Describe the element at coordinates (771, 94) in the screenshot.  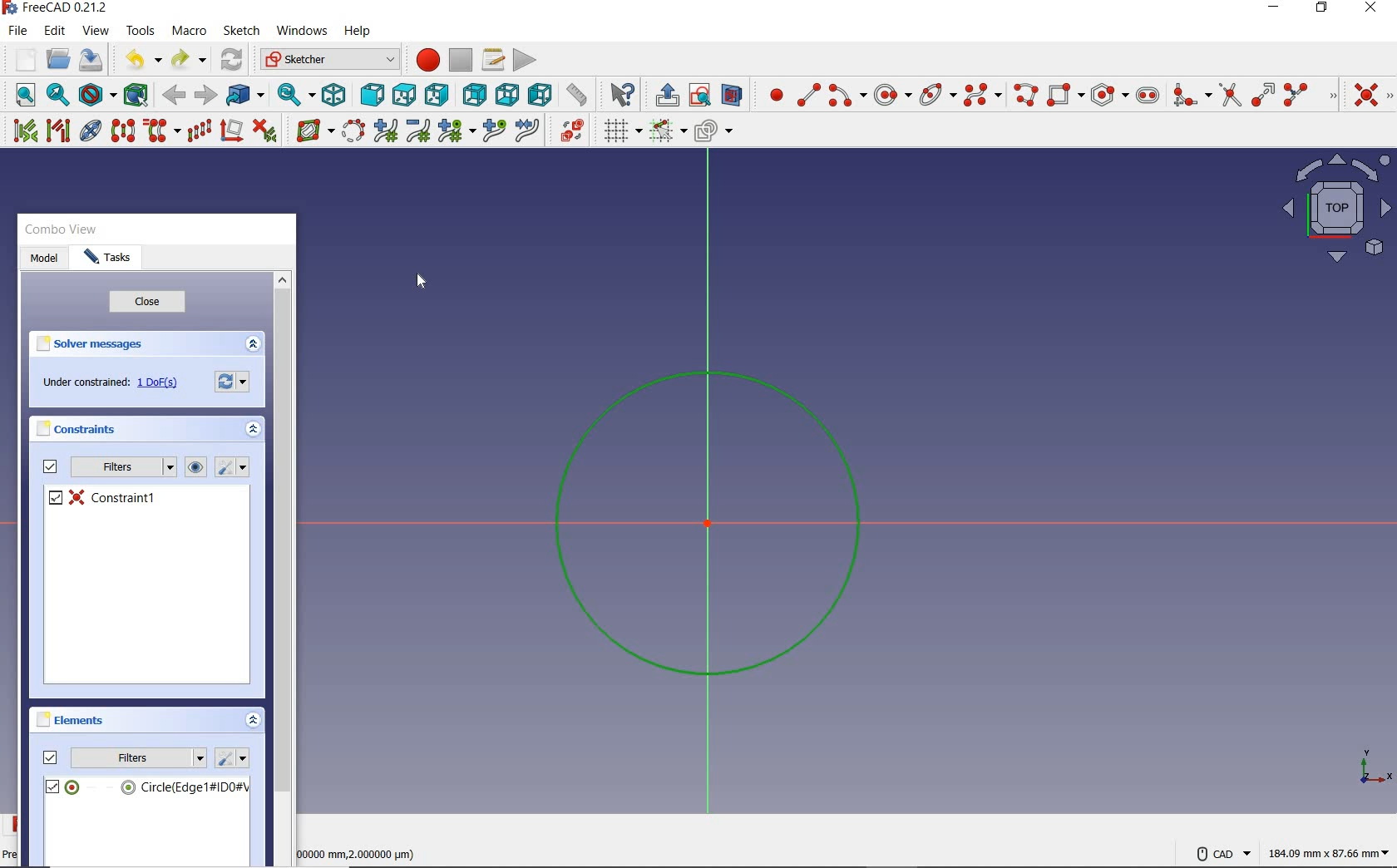
I see `create point` at that location.